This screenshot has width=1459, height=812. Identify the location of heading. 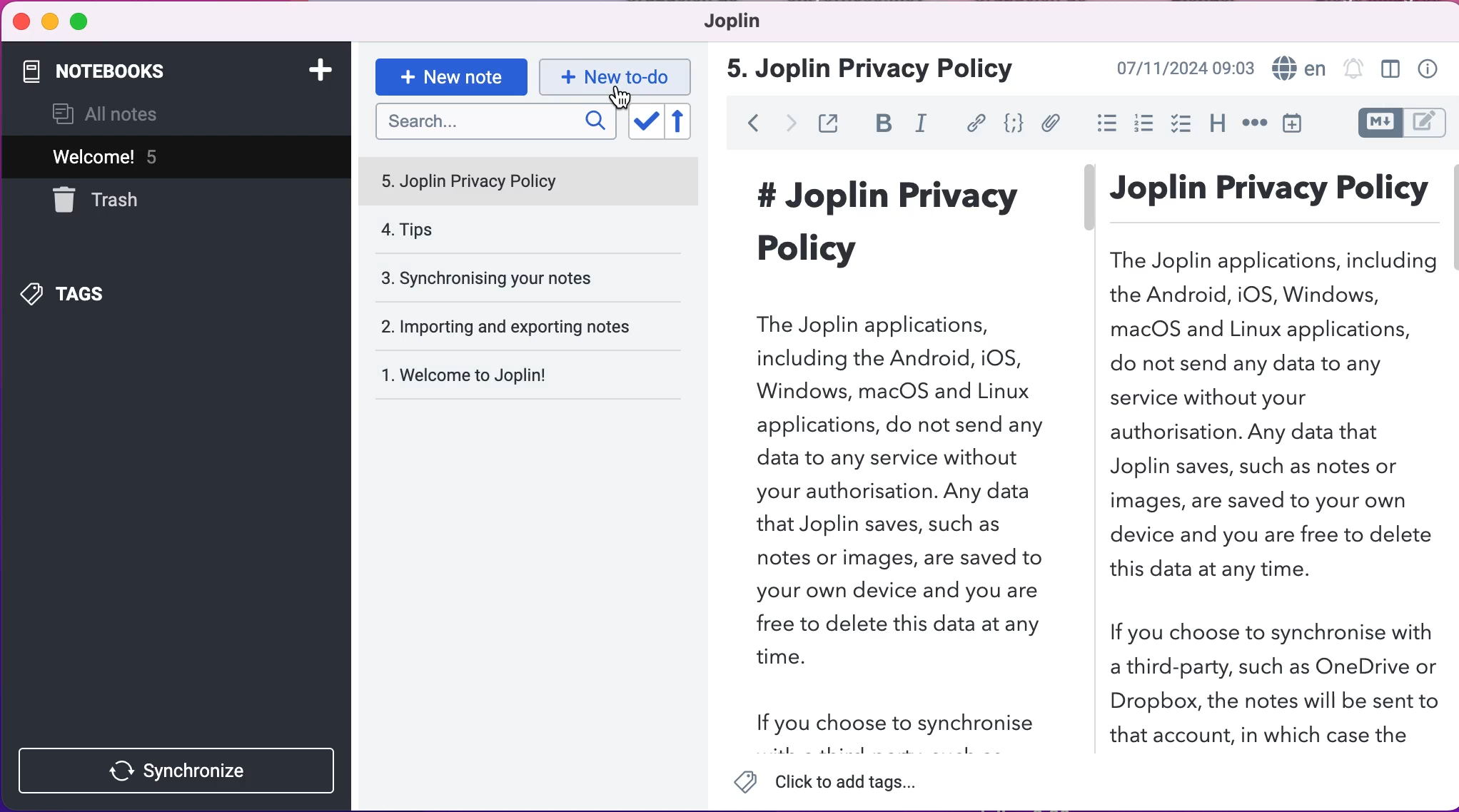
(1217, 127).